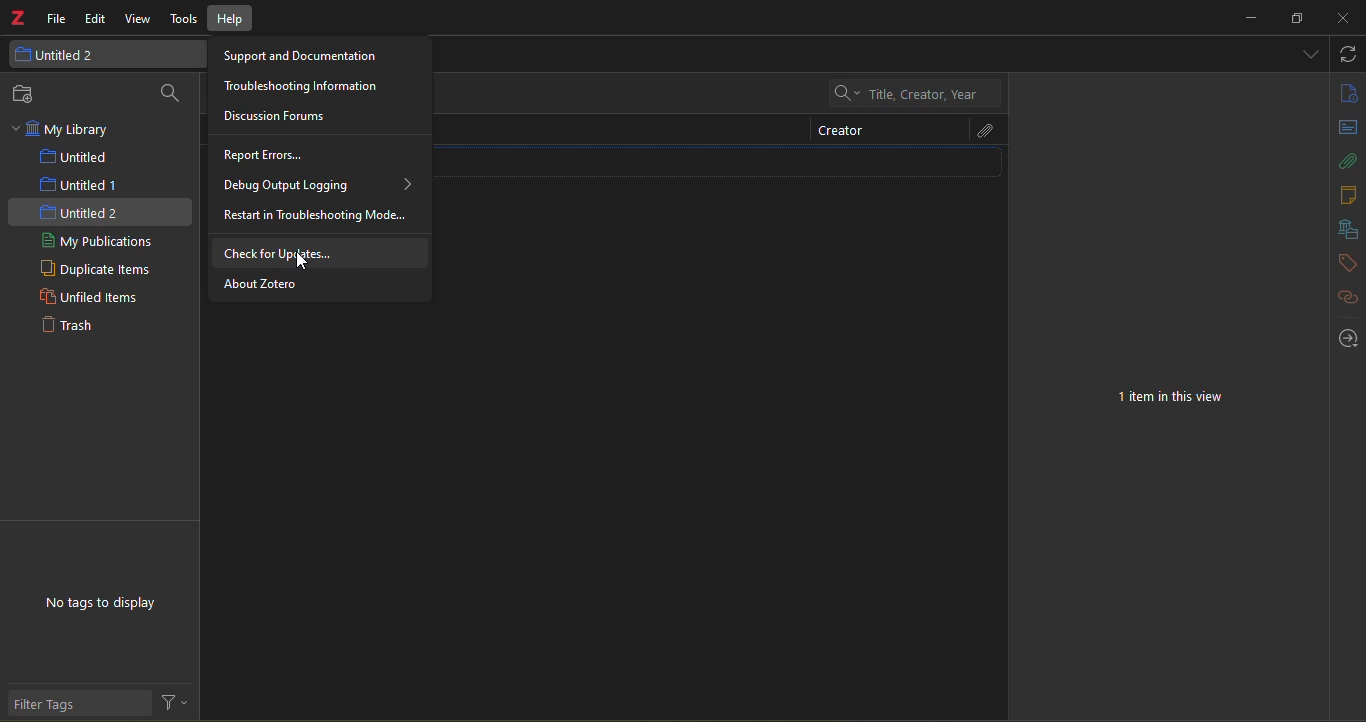  What do you see at coordinates (1250, 18) in the screenshot?
I see `minimize` at bounding box center [1250, 18].